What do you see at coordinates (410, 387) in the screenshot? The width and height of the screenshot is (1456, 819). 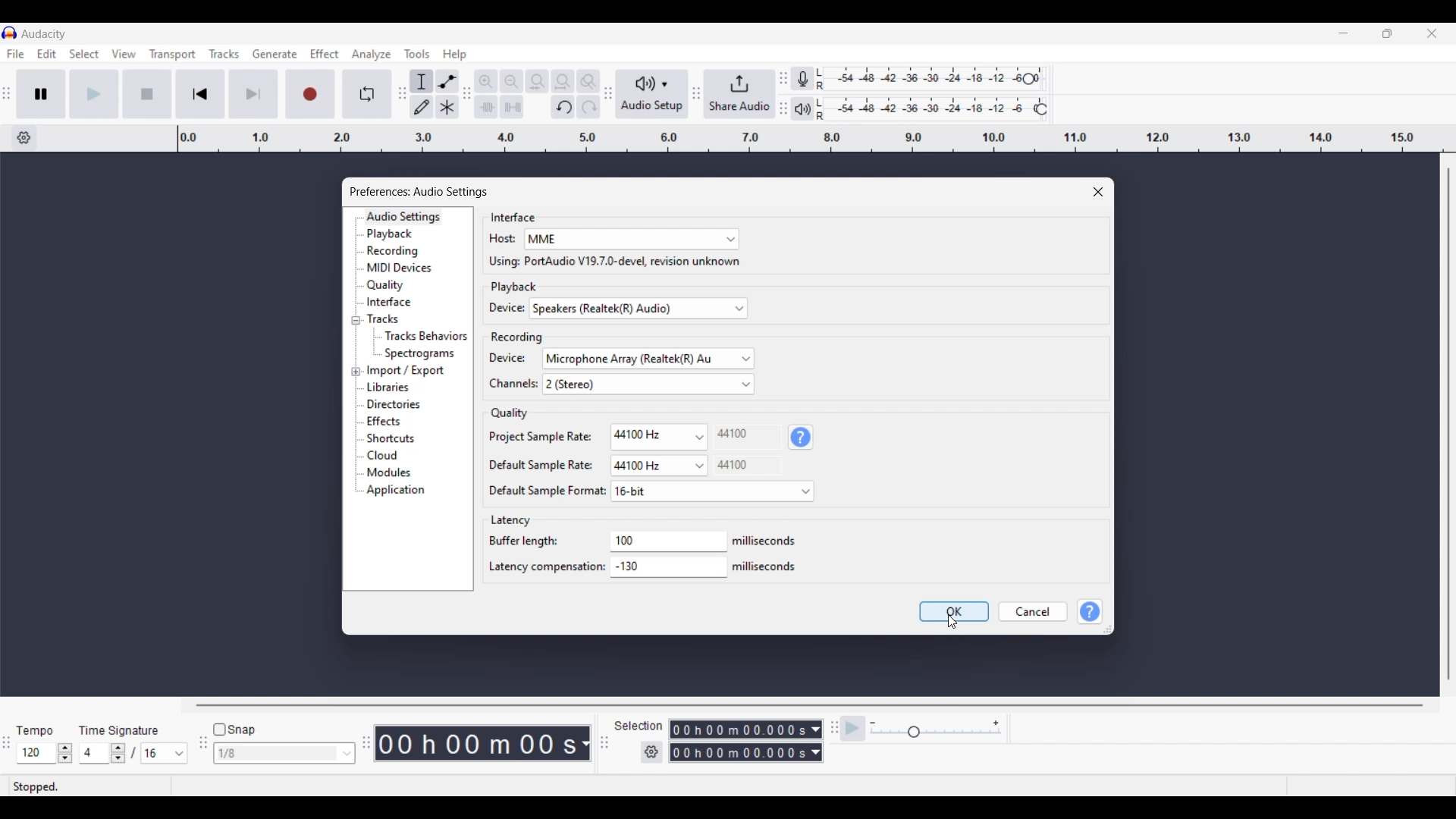 I see `Libraries` at bounding box center [410, 387].